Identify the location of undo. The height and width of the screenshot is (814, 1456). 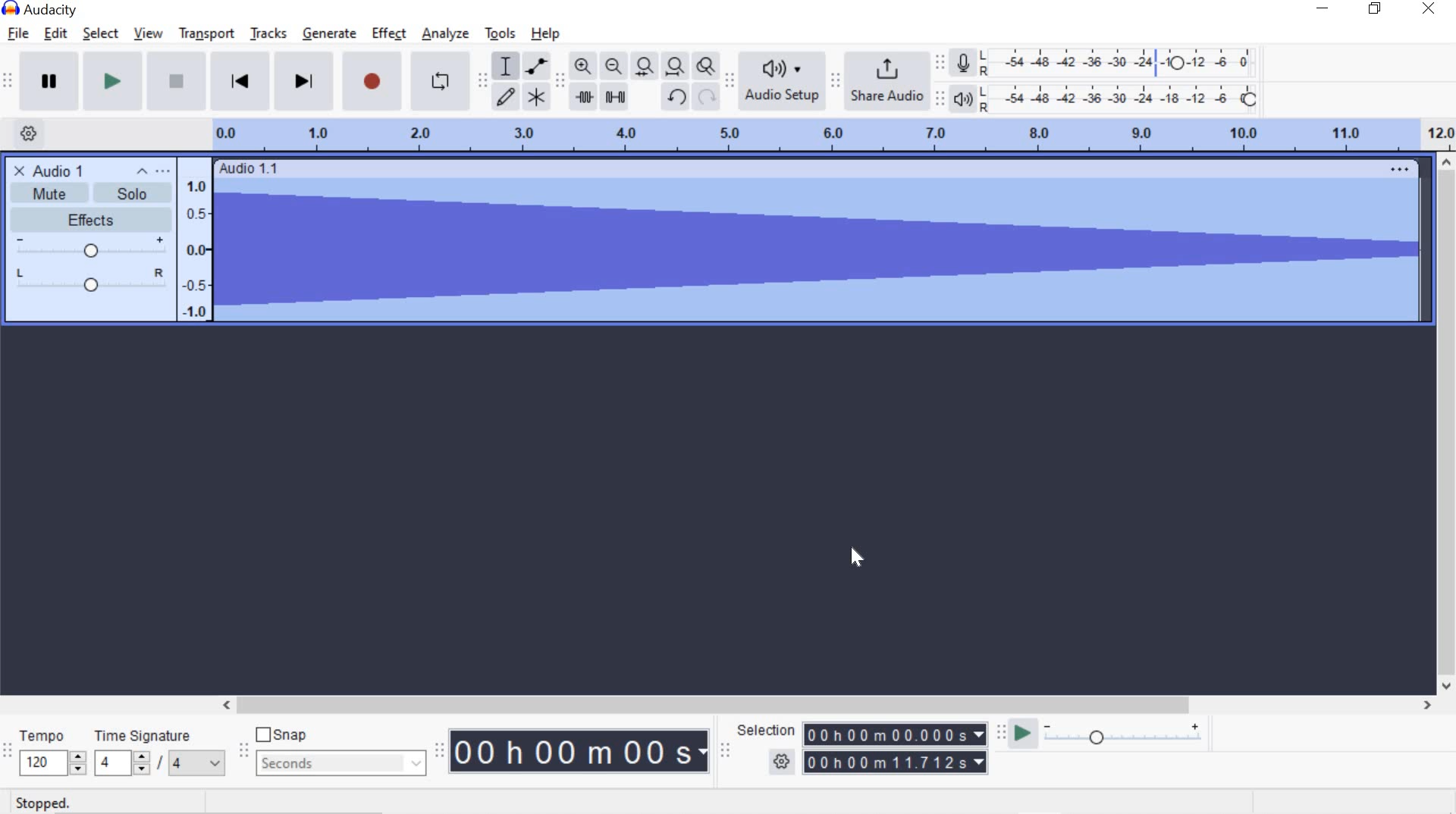
(673, 96).